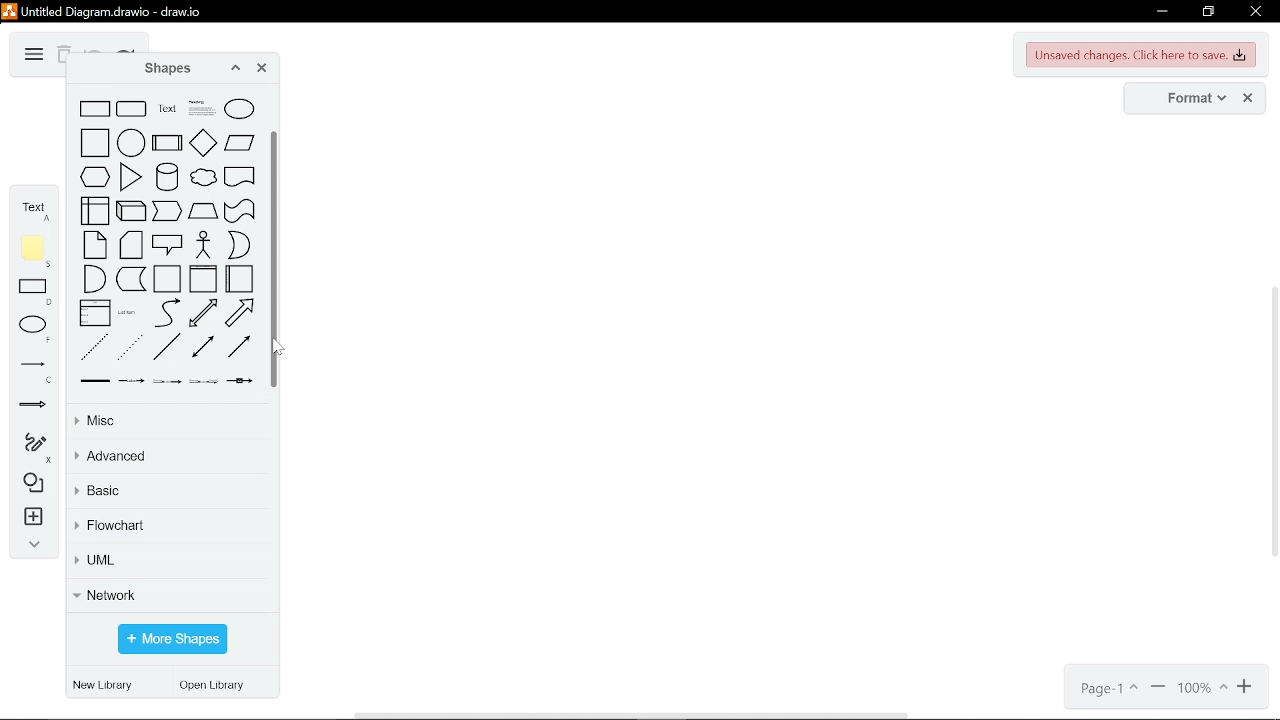 The image size is (1280, 720). Describe the element at coordinates (1203, 689) in the screenshot. I see `current zoom` at that location.